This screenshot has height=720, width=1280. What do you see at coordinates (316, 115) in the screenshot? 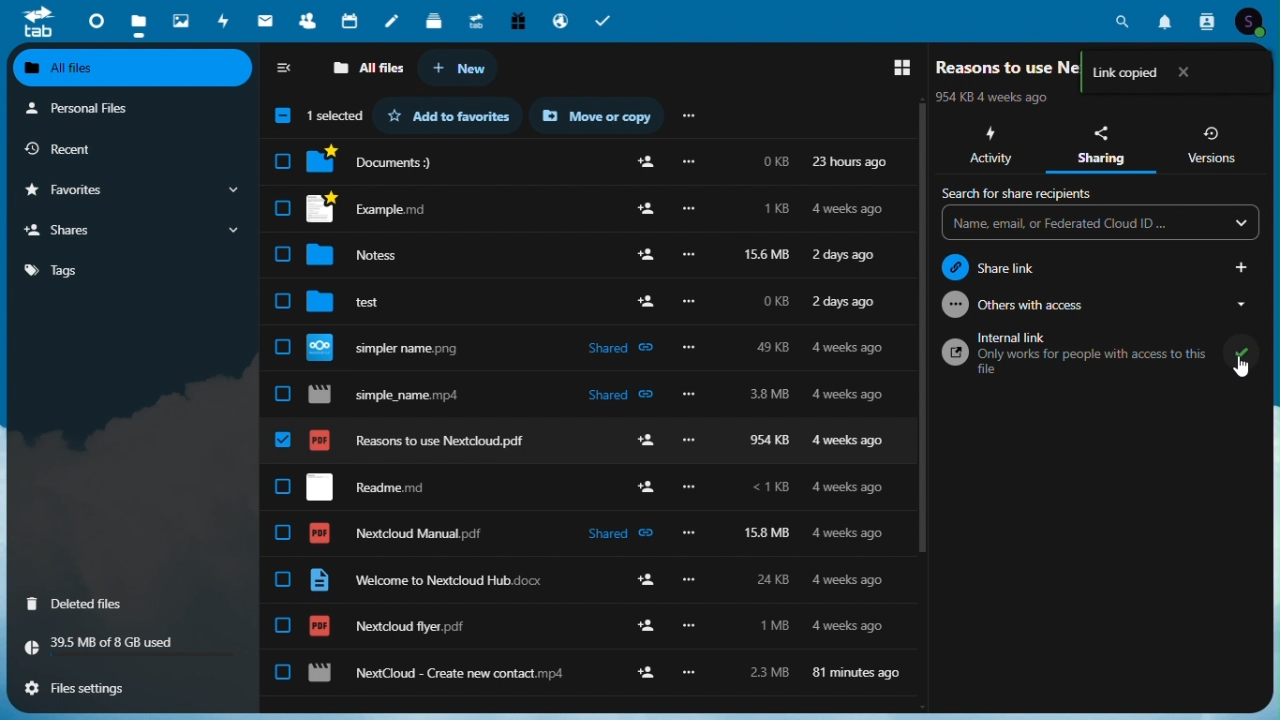
I see `selection box` at bounding box center [316, 115].